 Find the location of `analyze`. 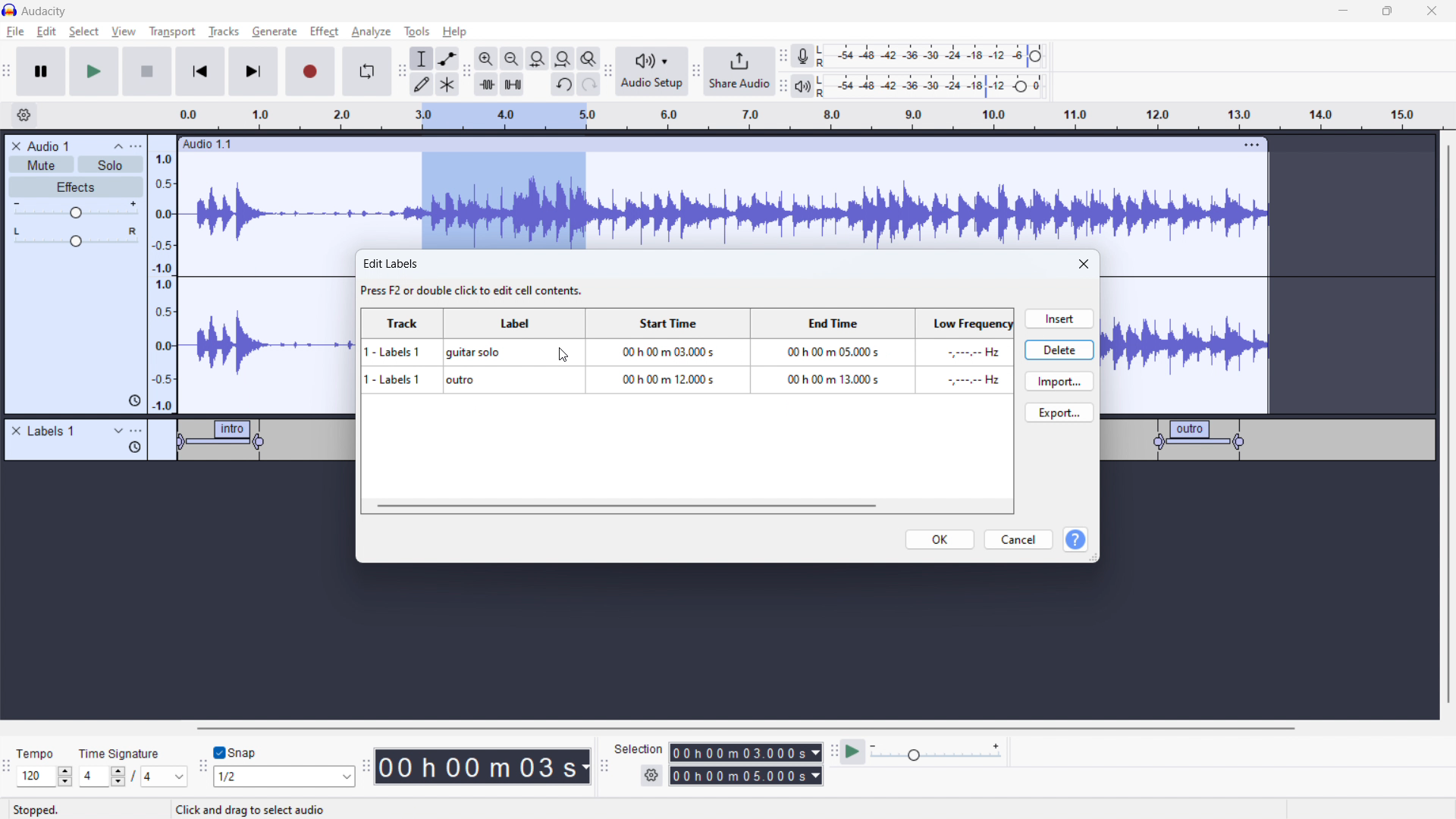

analyze is located at coordinates (369, 33).